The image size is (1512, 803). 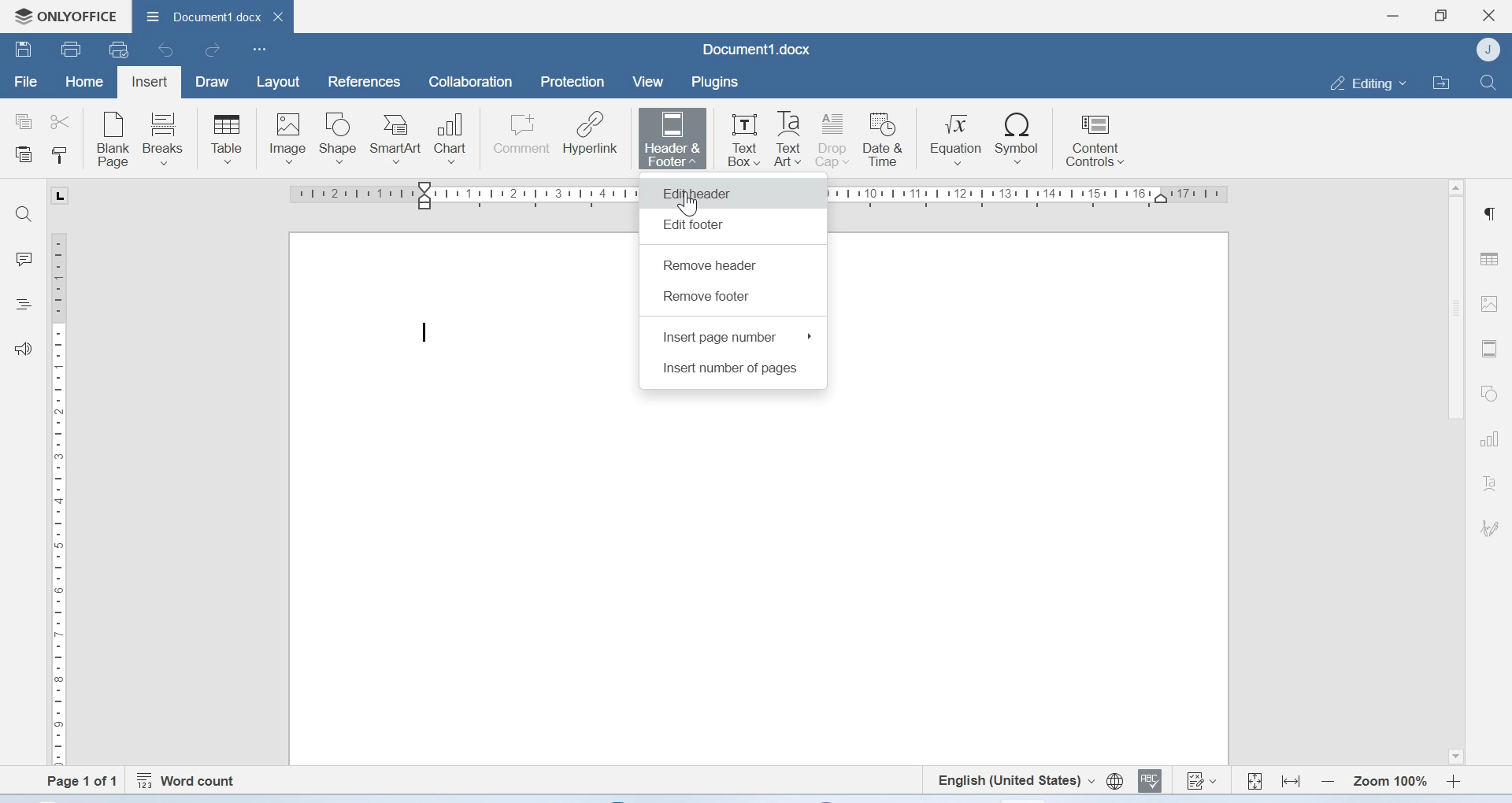 What do you see at coordinates (1451, 314) in the screenshot?
I see `Scrollbar` at bounding box center [1451, 314].